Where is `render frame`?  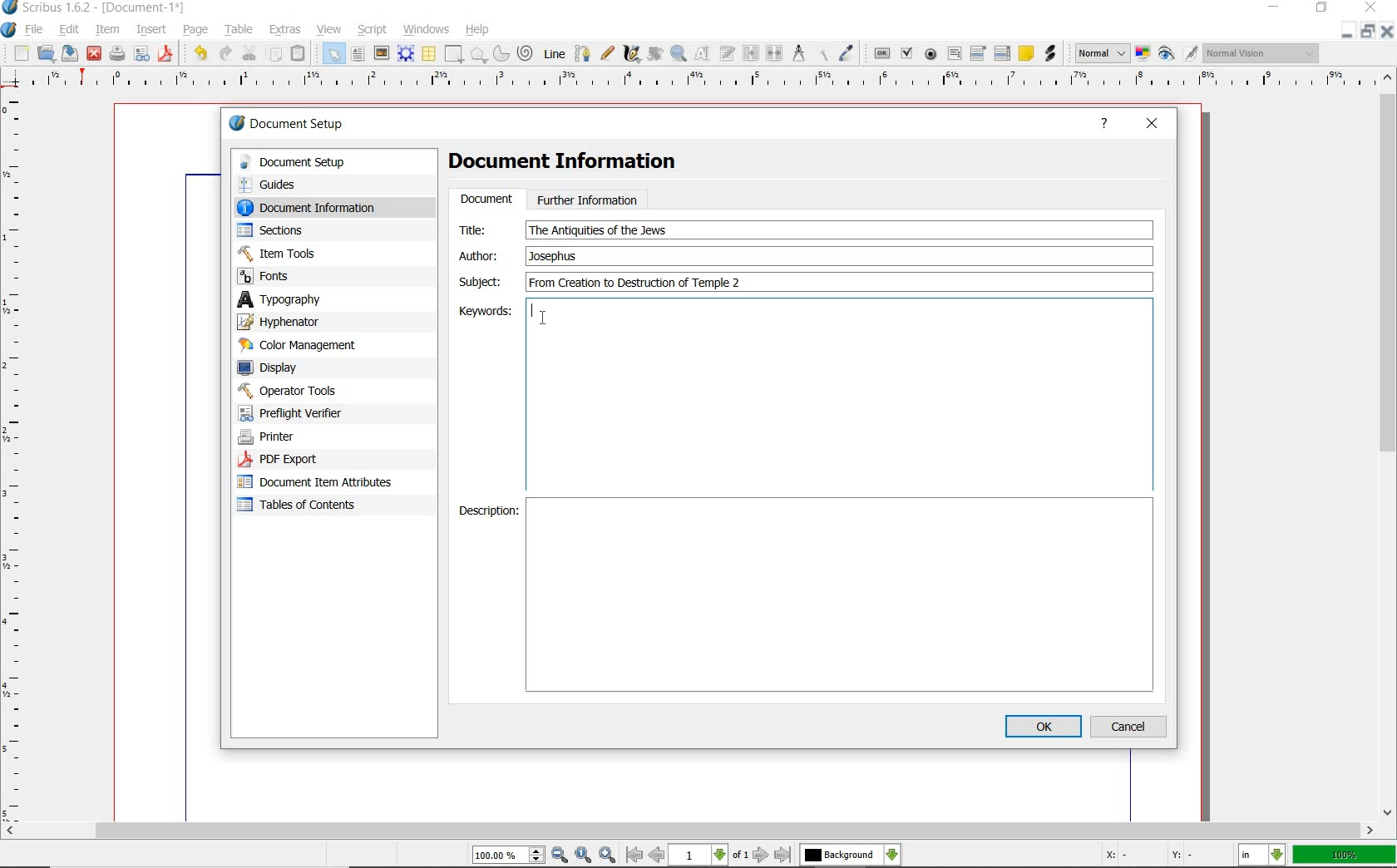
render frame is located at coordinates (406, 54).